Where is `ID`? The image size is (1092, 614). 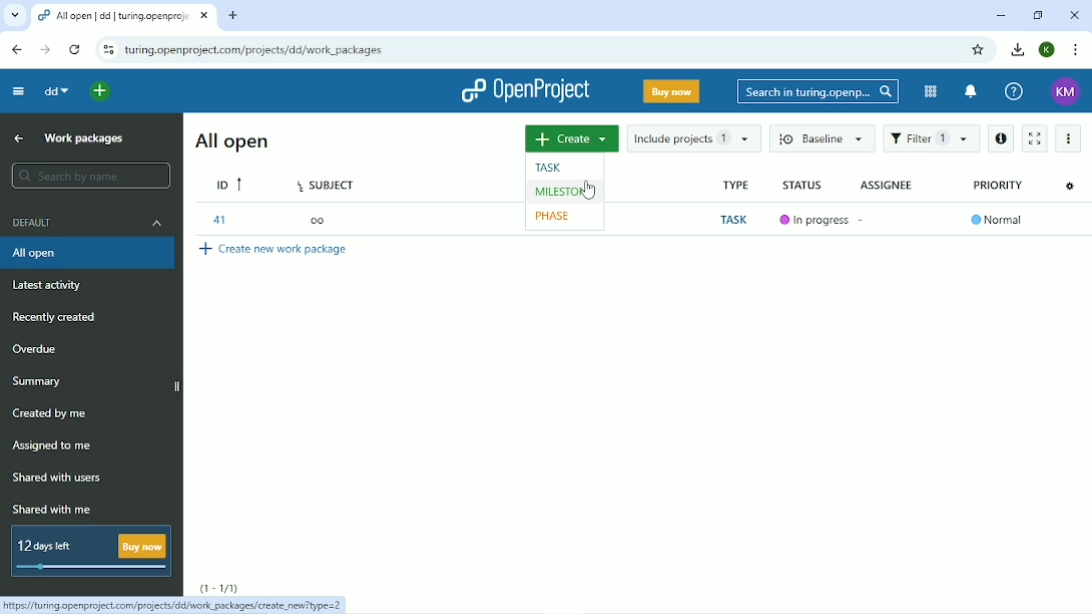
ID is located at coordinates (231, 184).